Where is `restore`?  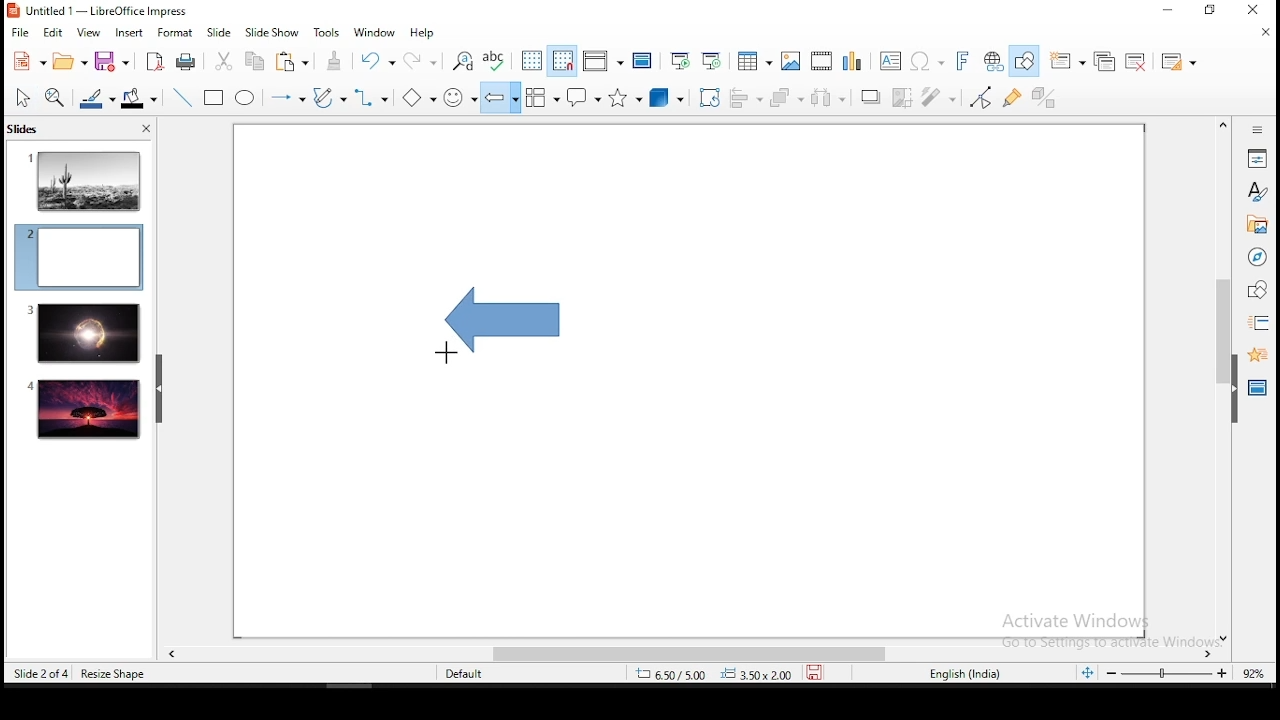
restore is located at coordinates (1211, 11).